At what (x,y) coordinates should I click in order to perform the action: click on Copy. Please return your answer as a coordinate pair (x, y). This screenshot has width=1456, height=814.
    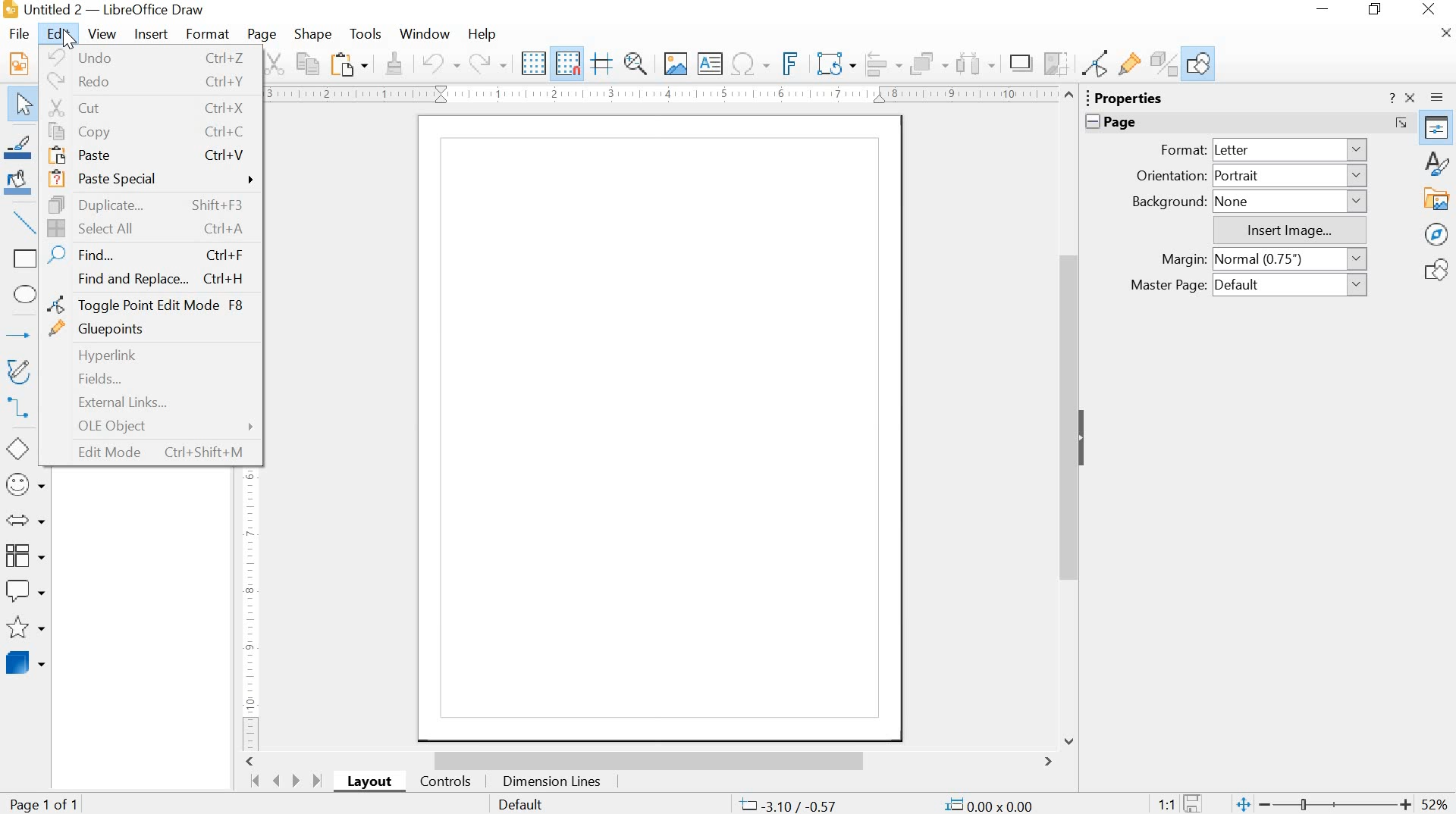
    Looking at the image, I should click on (308, 64).